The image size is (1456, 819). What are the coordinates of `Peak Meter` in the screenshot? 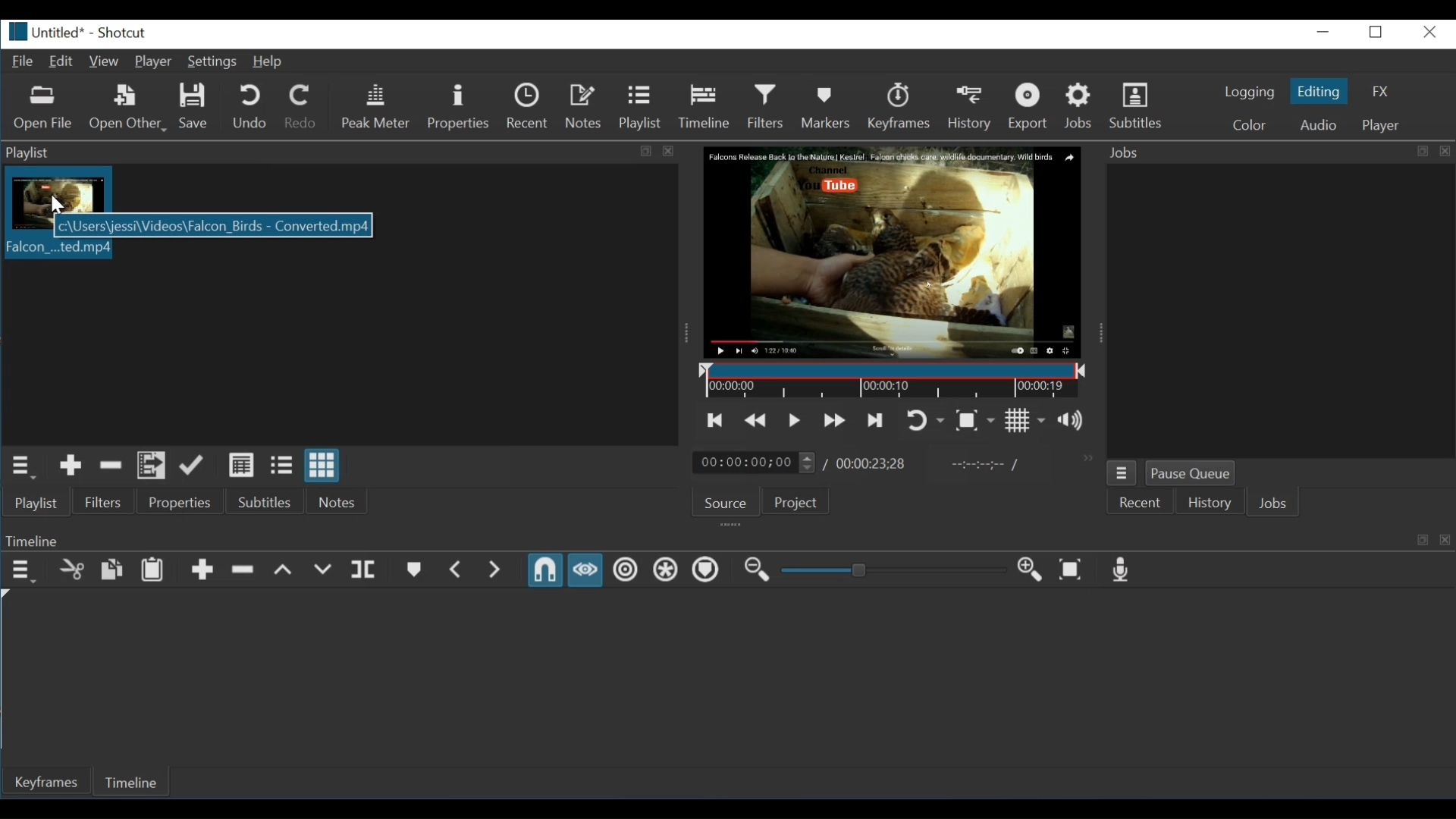 It's located at (378, 106).